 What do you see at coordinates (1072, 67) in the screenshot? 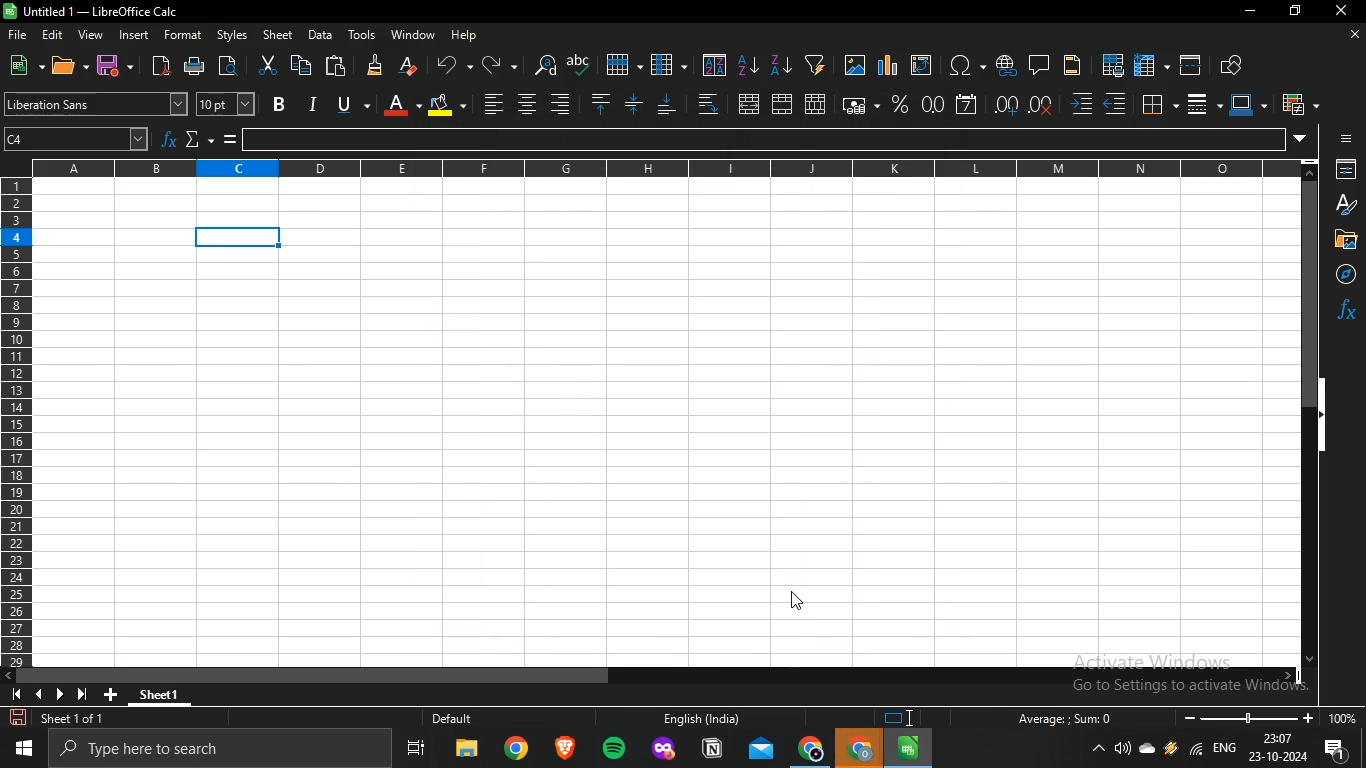
I see `headers and footers` at bounding box center [1072, 67].